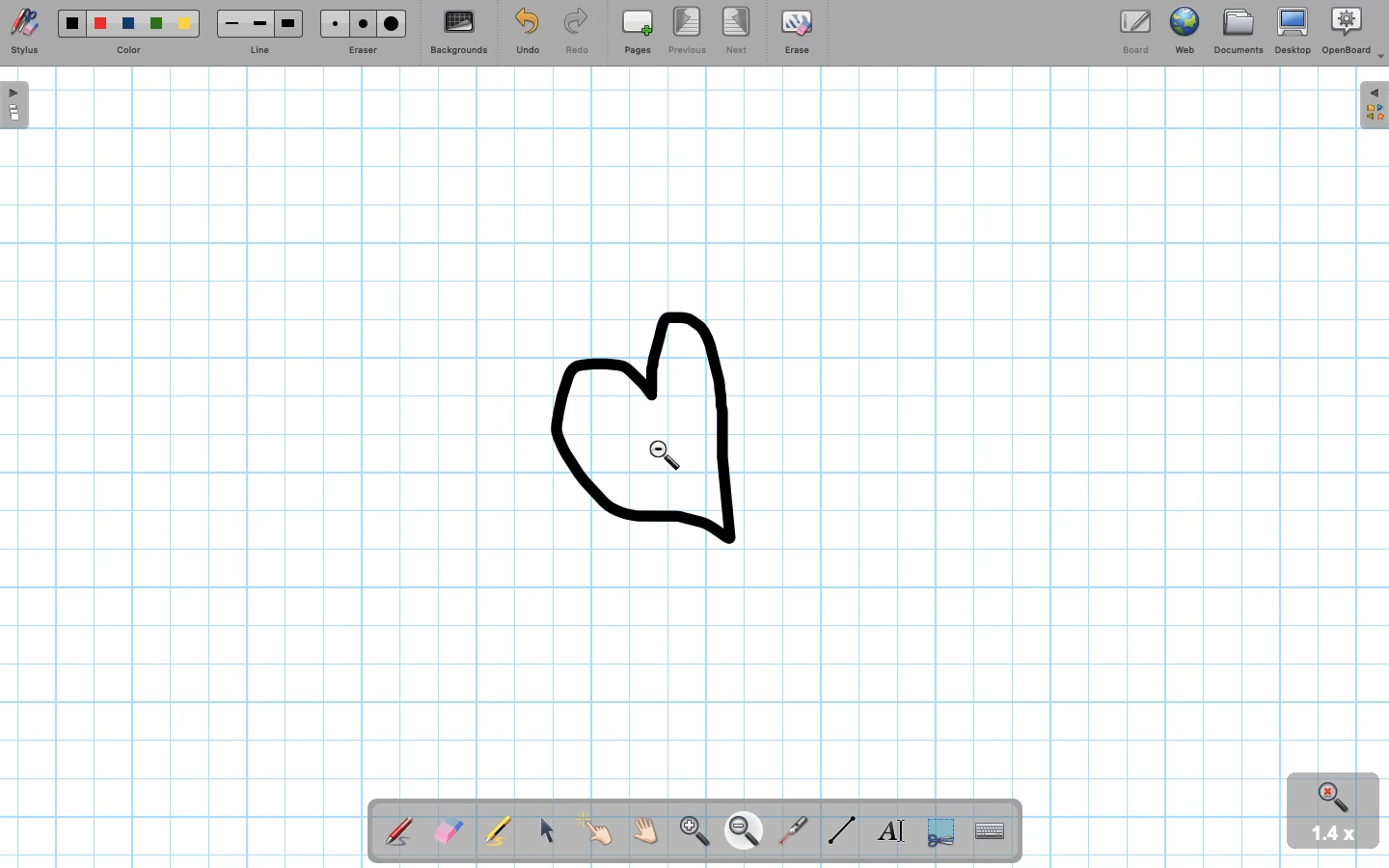  What do you see at coordinates (937, 833) in the screenshot?
I see `Selection tool` at bounding box center [937, 833].